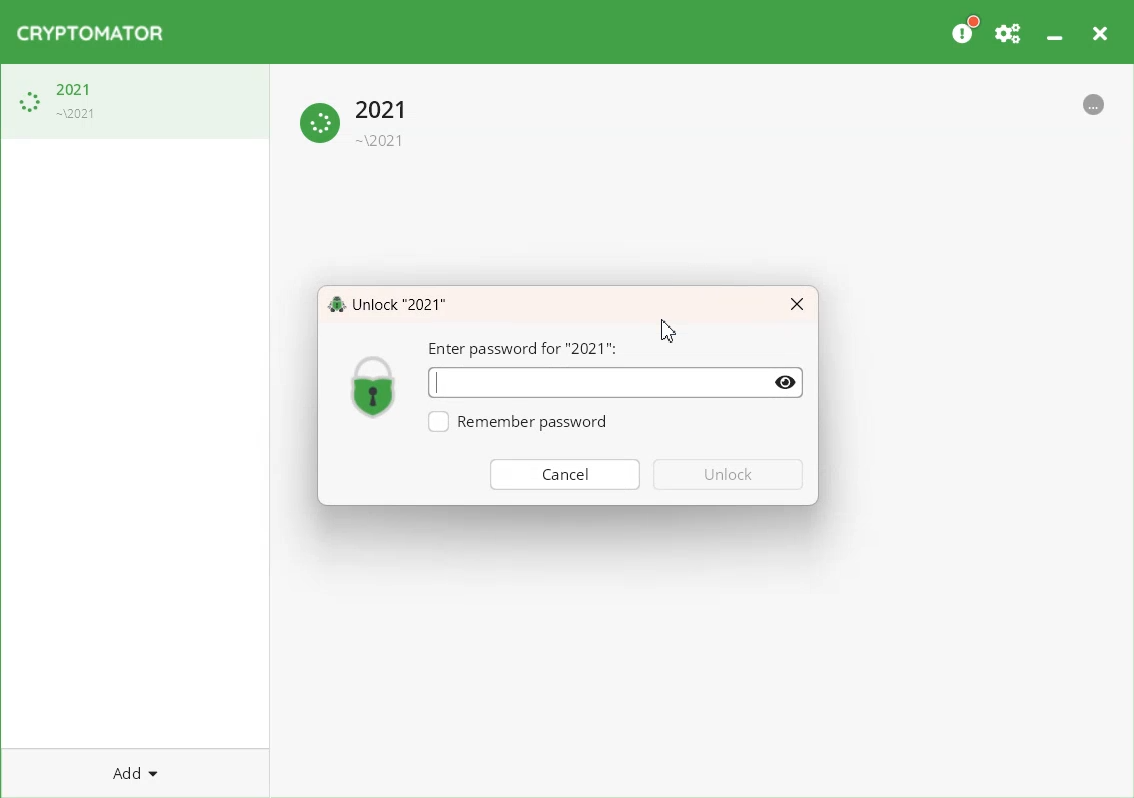  I want to click on Preferences, so click(1009, 30).